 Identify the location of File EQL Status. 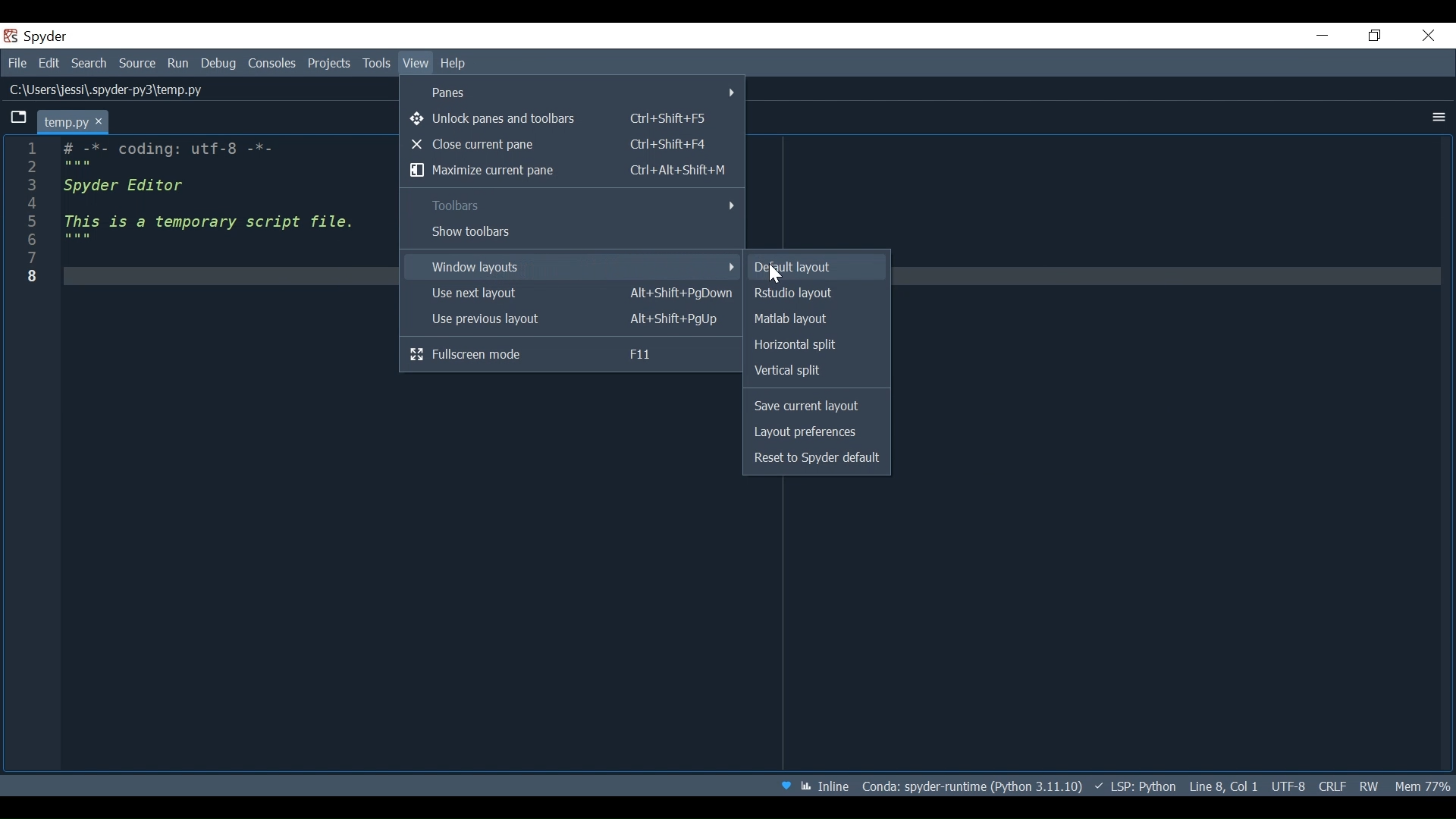
(1334, 786).